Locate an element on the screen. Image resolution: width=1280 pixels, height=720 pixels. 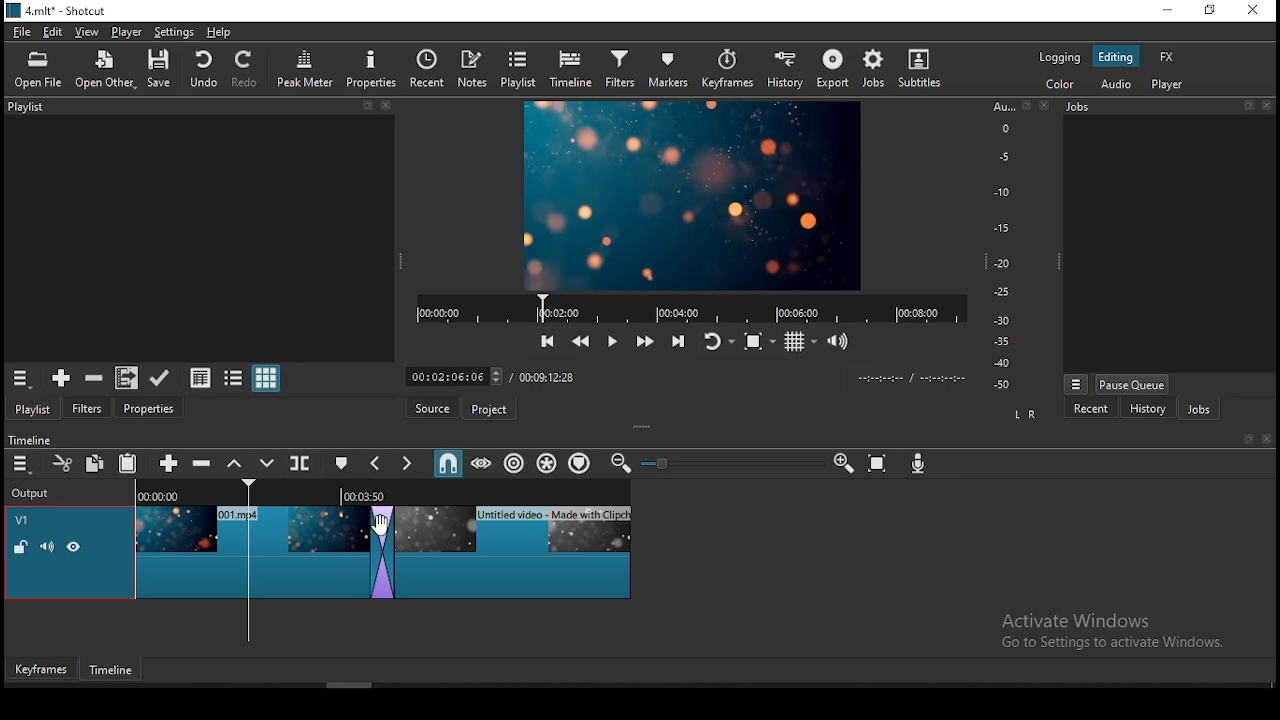
keyframes is located at coordinates (731, 69).